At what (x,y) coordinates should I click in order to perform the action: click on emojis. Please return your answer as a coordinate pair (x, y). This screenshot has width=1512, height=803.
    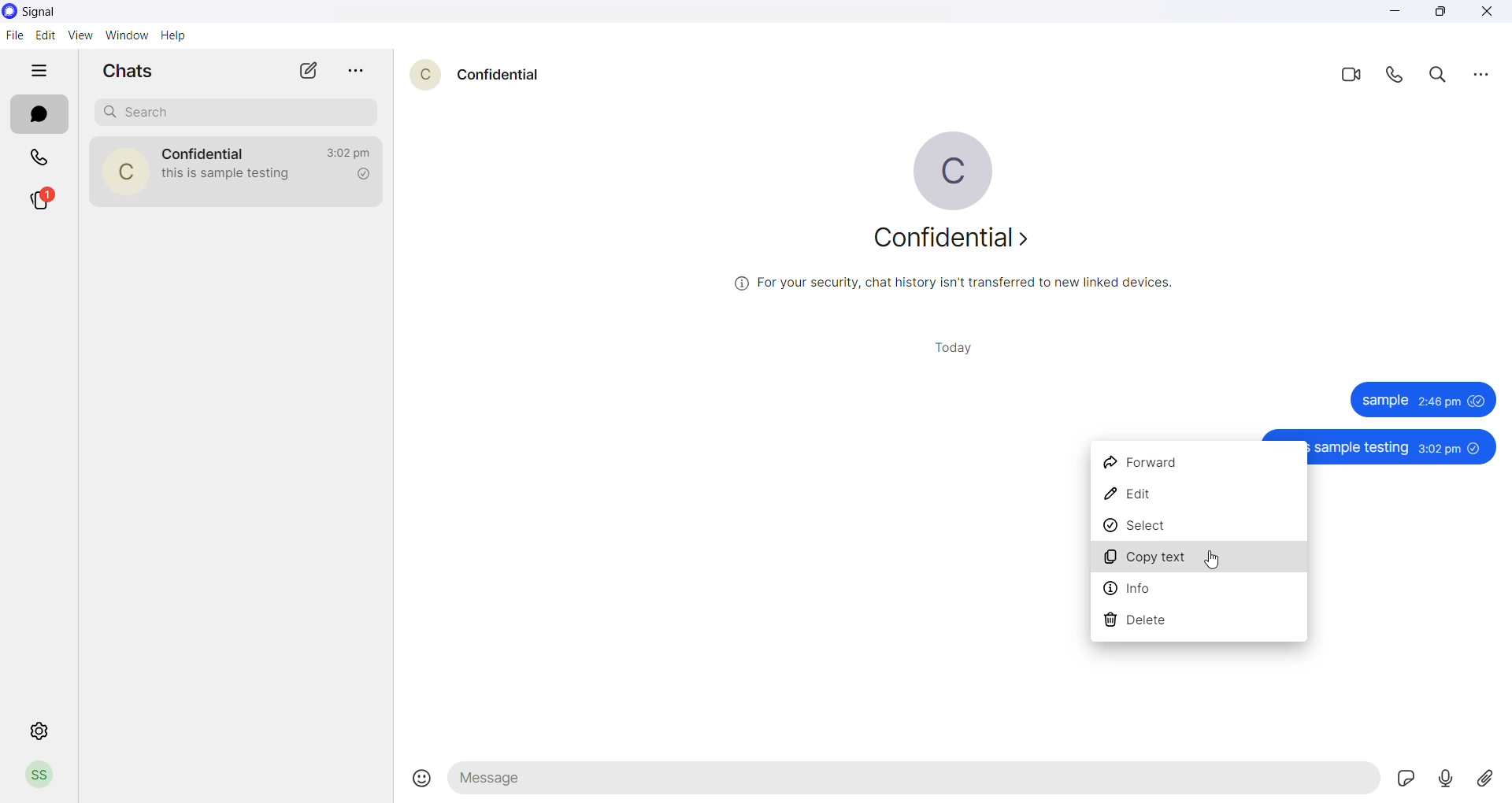
    Looking at the image, I should click on (413, 773).